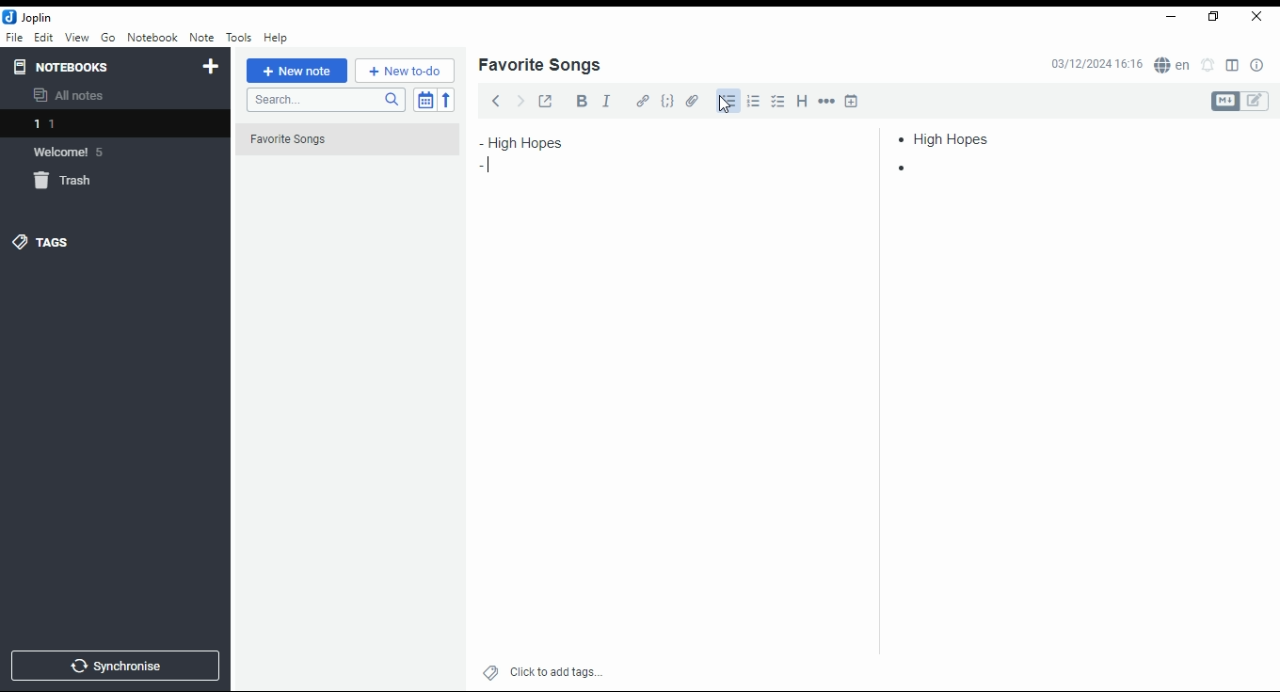  Describe the element at coordinates (446, 100) in the screenshot. I see `reverse sort order` at that location.